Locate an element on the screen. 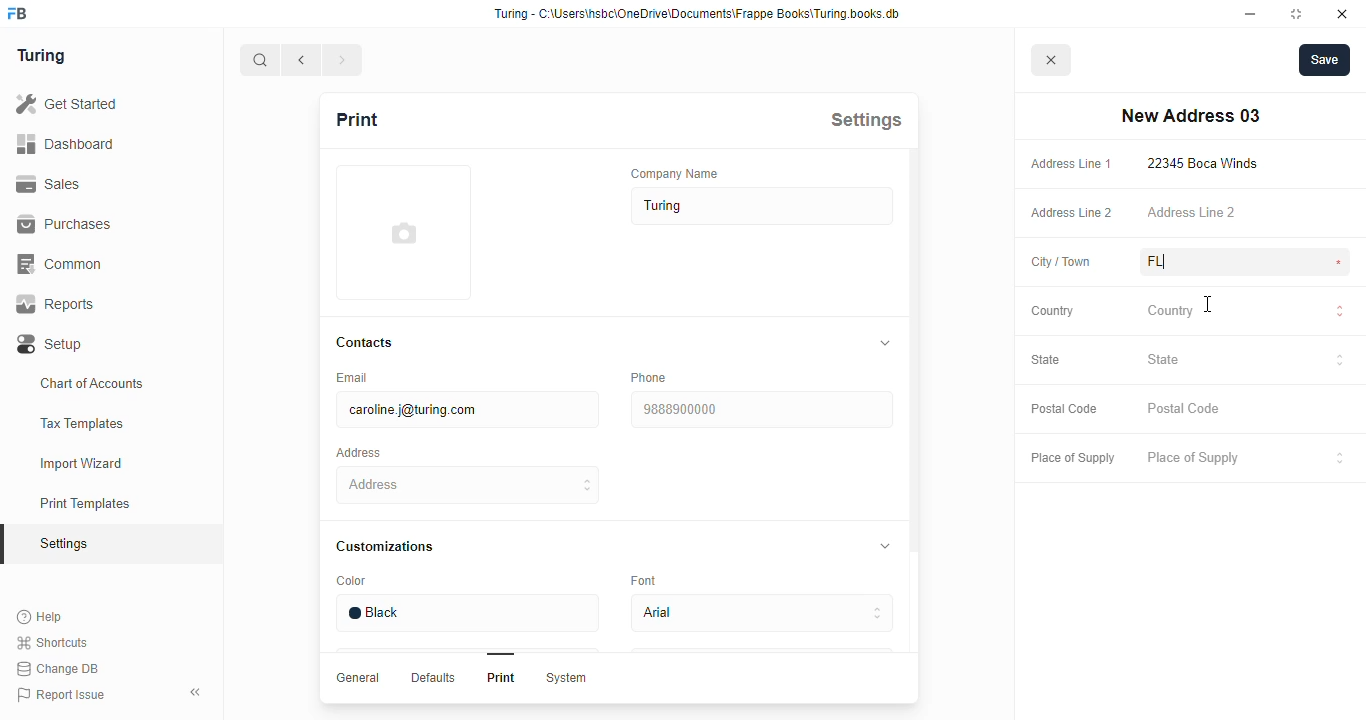 The image size is (1366, 720). report issue is located at coordinates (61, 695).